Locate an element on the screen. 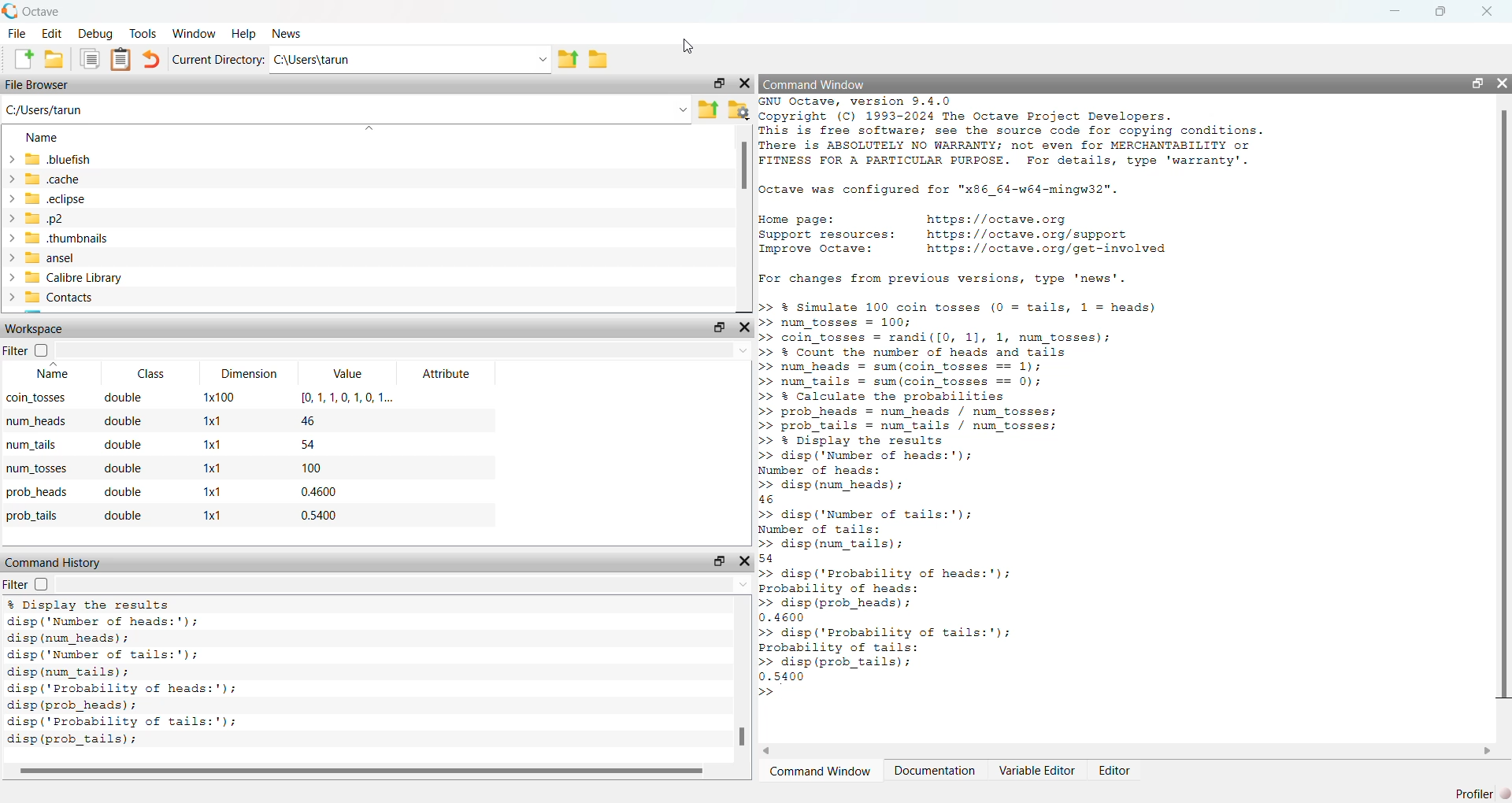 The width and height of the screenshot is (1512, 803). double is located at coordinates (123, 516).